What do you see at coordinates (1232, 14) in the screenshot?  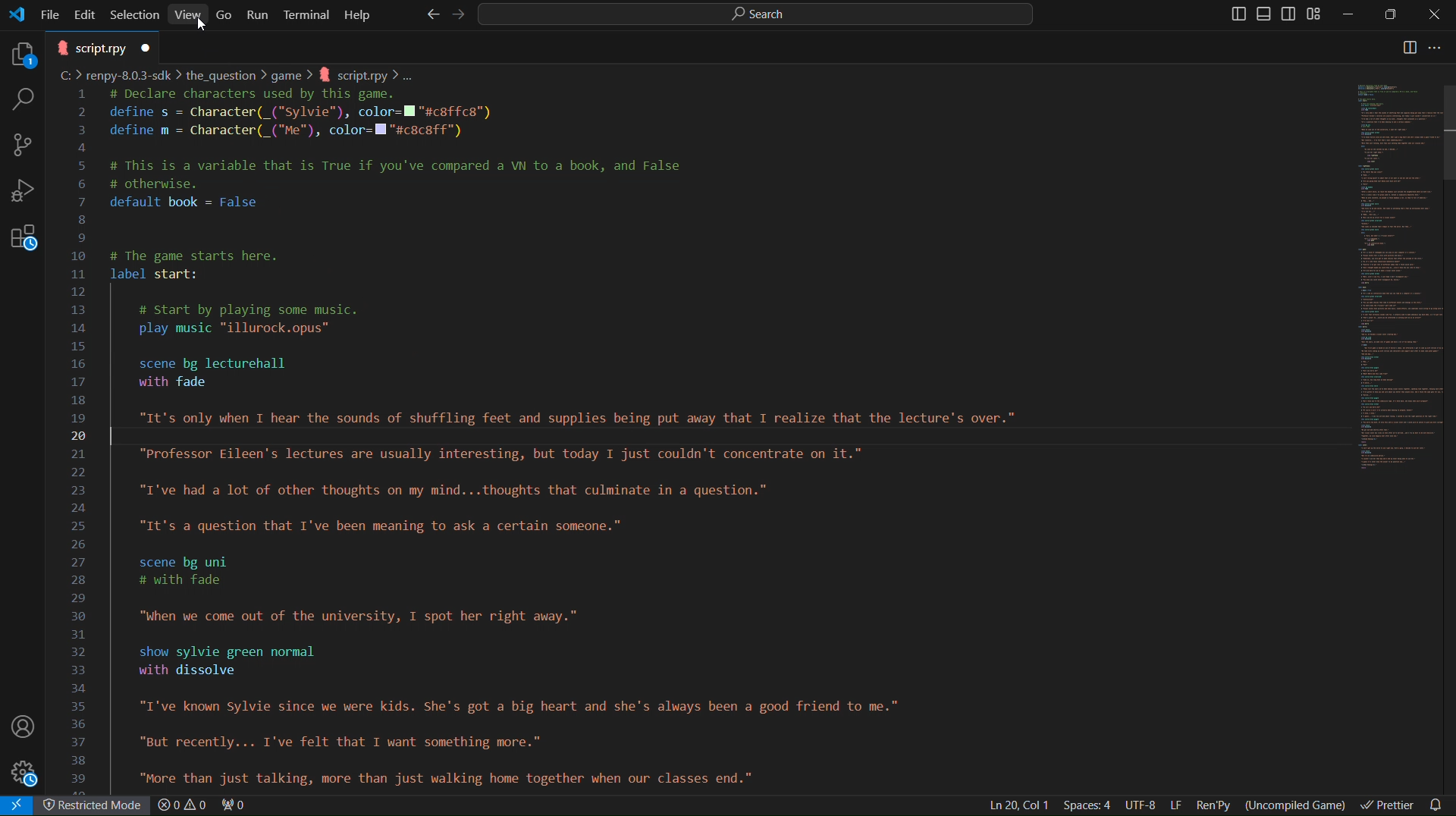 I see `Toggle Primary Side Bar` at bounding box center [1232, 14].